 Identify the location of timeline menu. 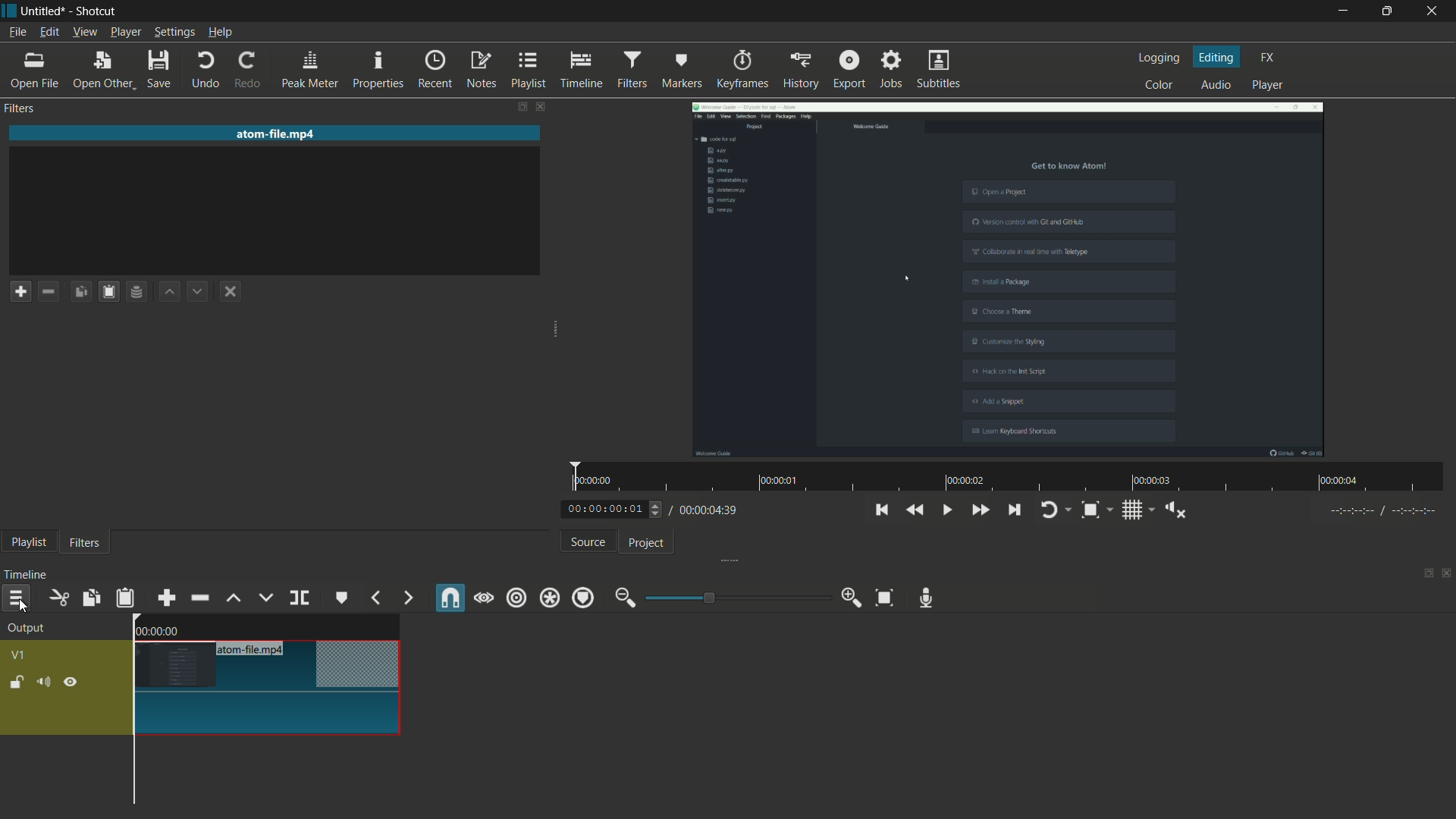
(16, 598).